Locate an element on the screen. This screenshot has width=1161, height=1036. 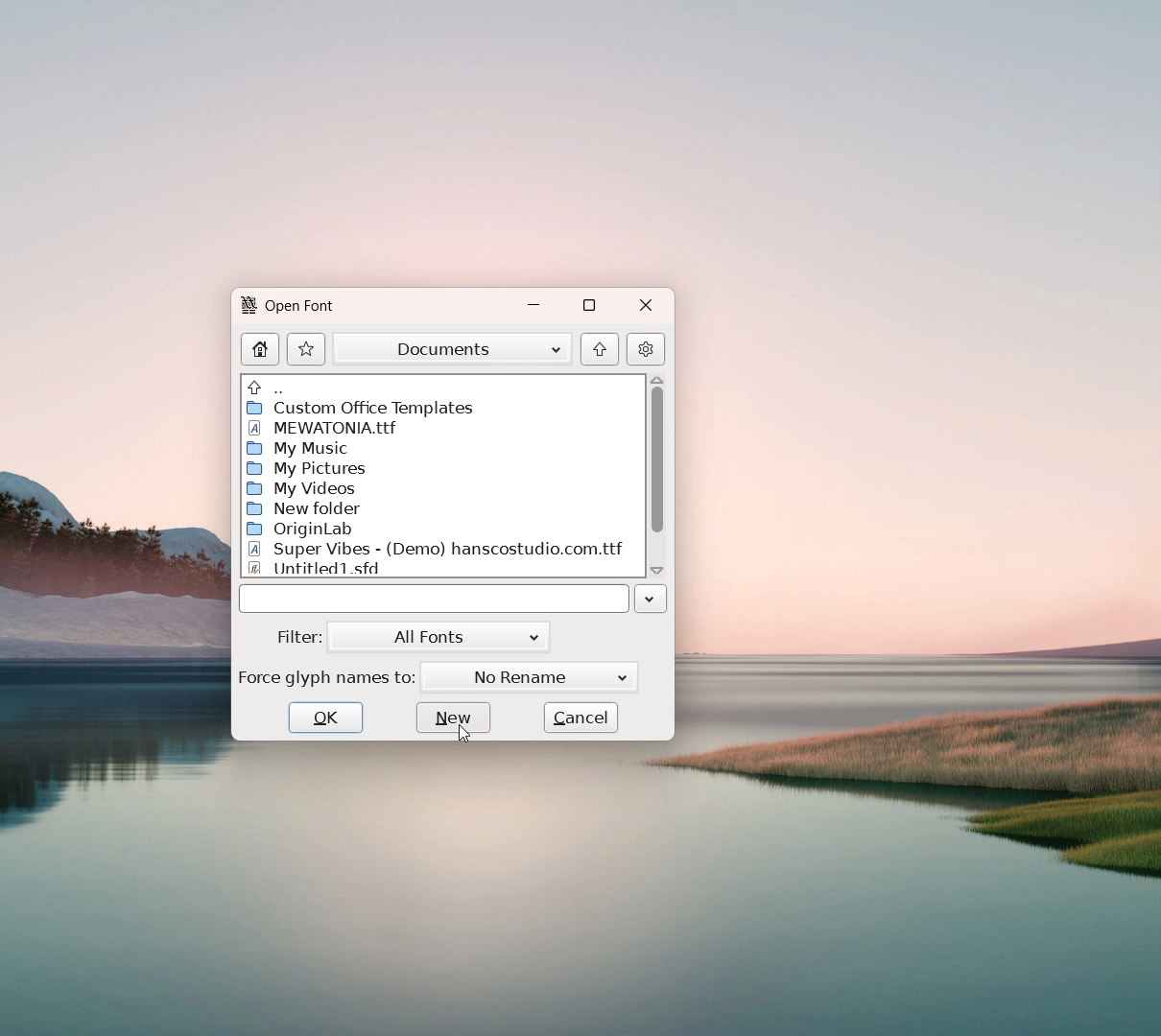
All Fonts is located at coordinates (440, 637).